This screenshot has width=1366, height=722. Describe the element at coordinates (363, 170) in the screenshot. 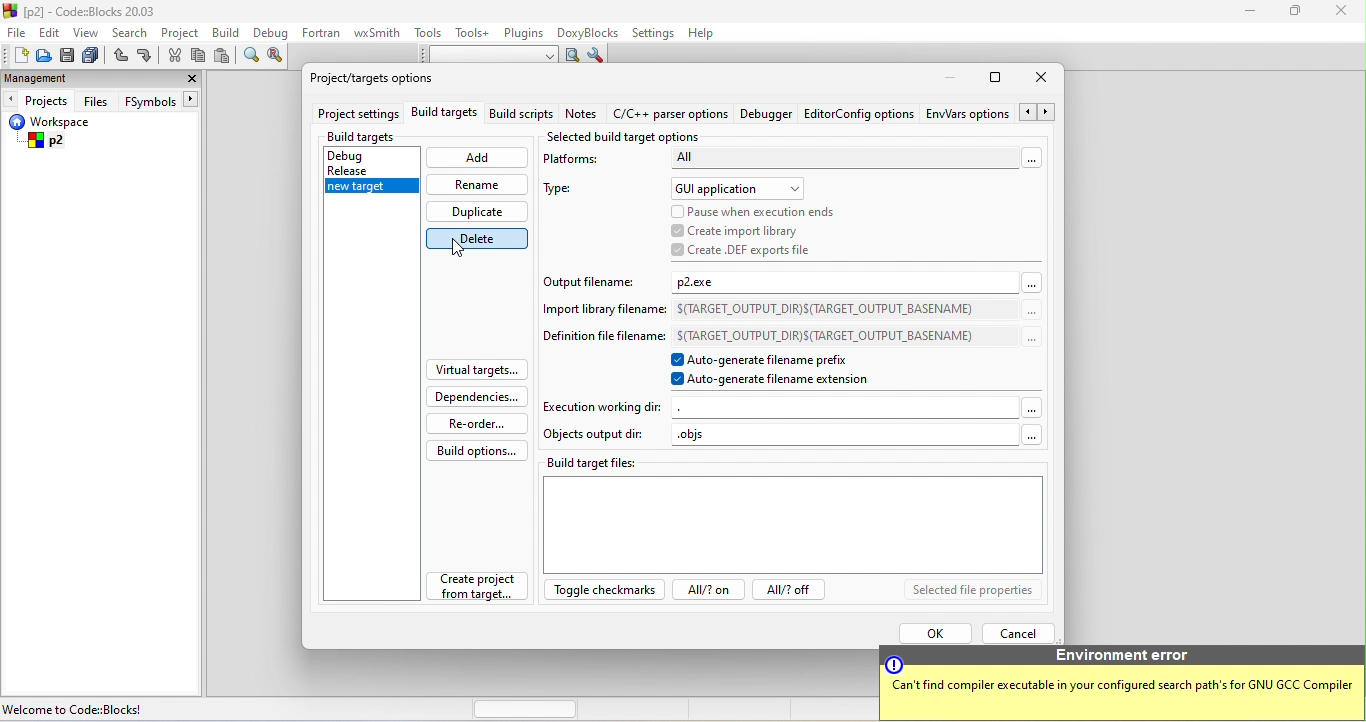

I see `release` at that location.